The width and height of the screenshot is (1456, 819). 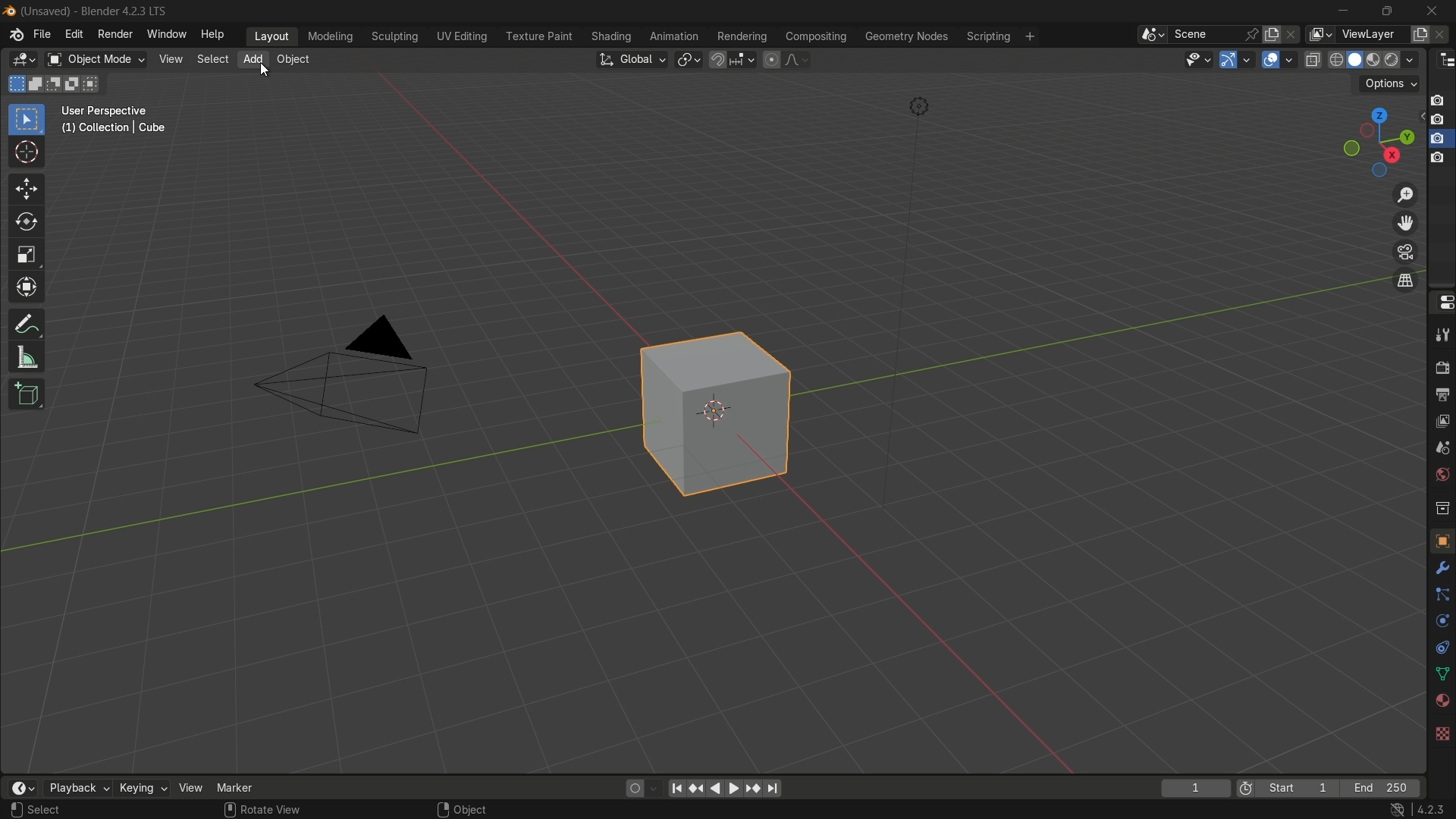 I want to click on modeling, so click(x=331, y=37).